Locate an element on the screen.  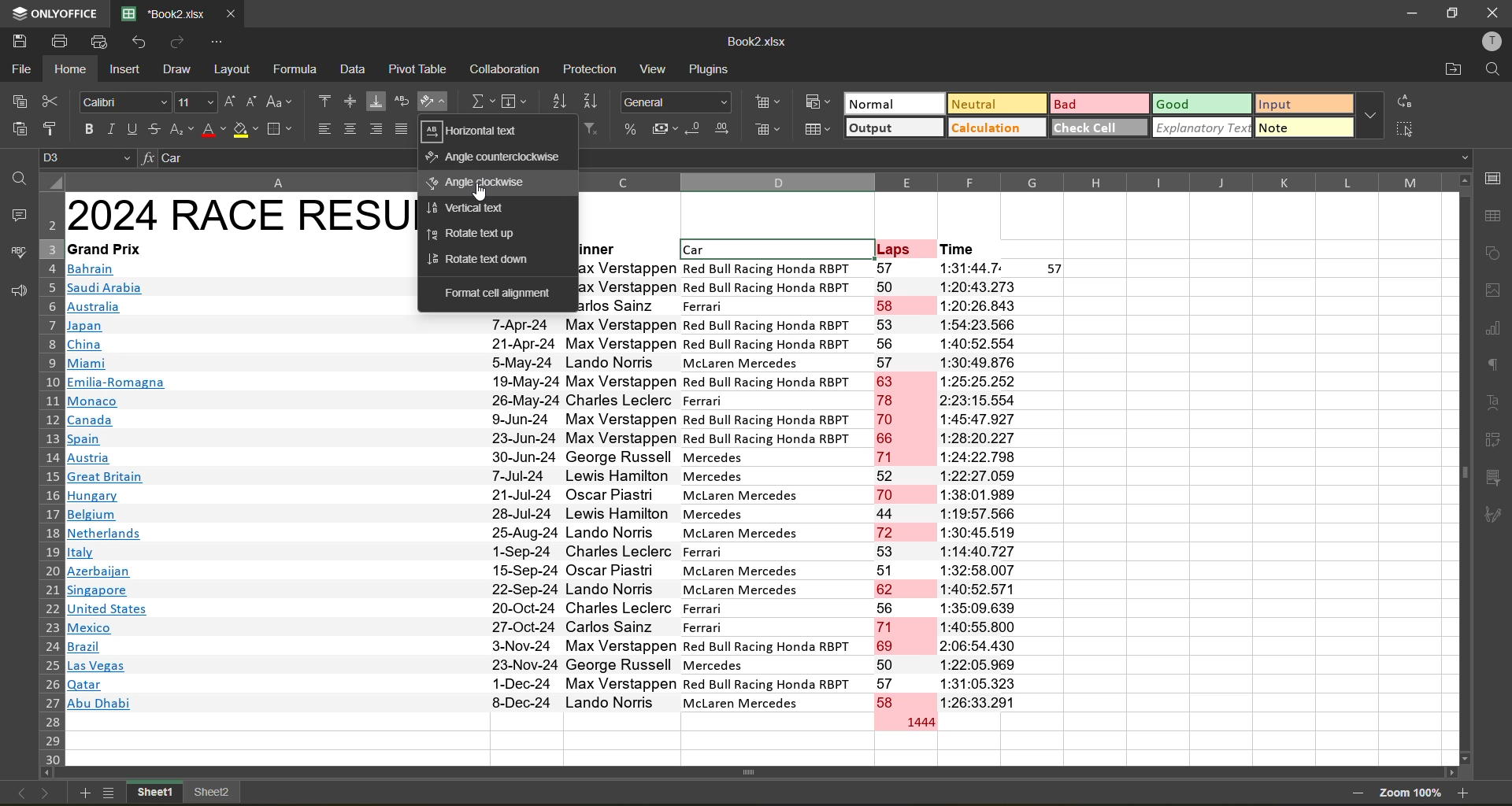
angle clockwise is located at coordinates (477, 183).